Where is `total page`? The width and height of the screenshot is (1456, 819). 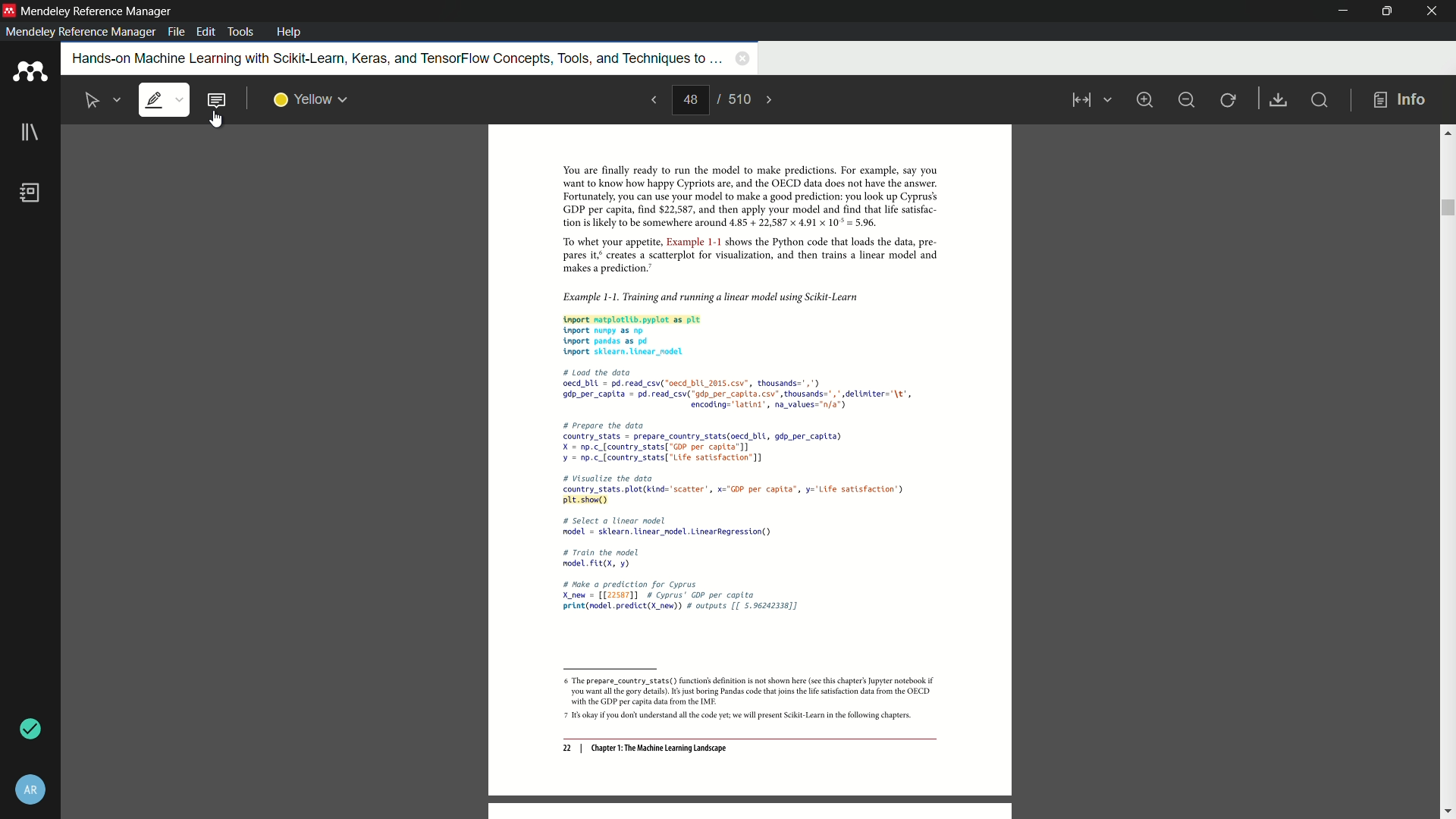 total page is located at coordinates (738, 99).